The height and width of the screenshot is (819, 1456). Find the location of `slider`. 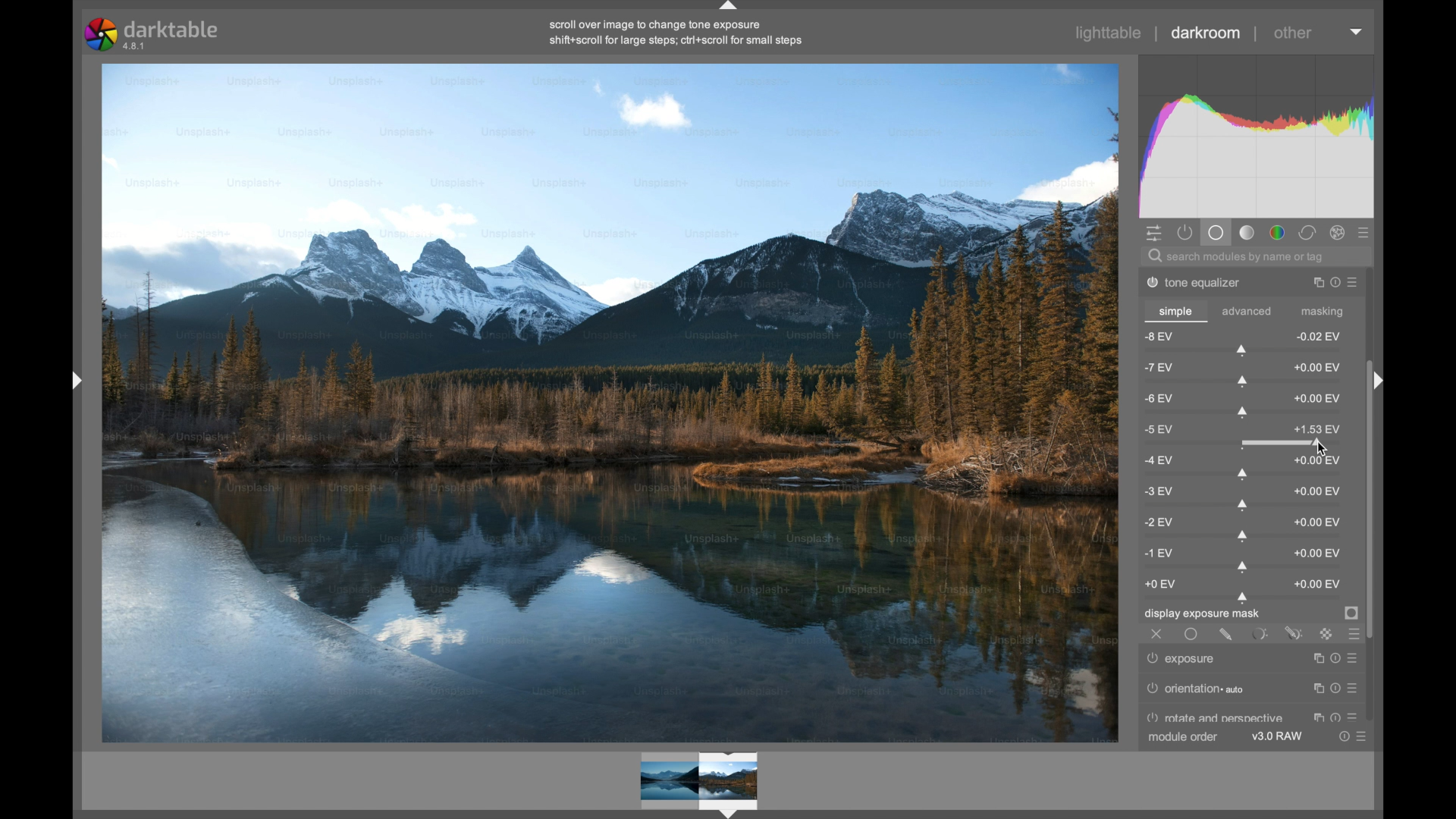

slider is located at coordinates (1244, 568).